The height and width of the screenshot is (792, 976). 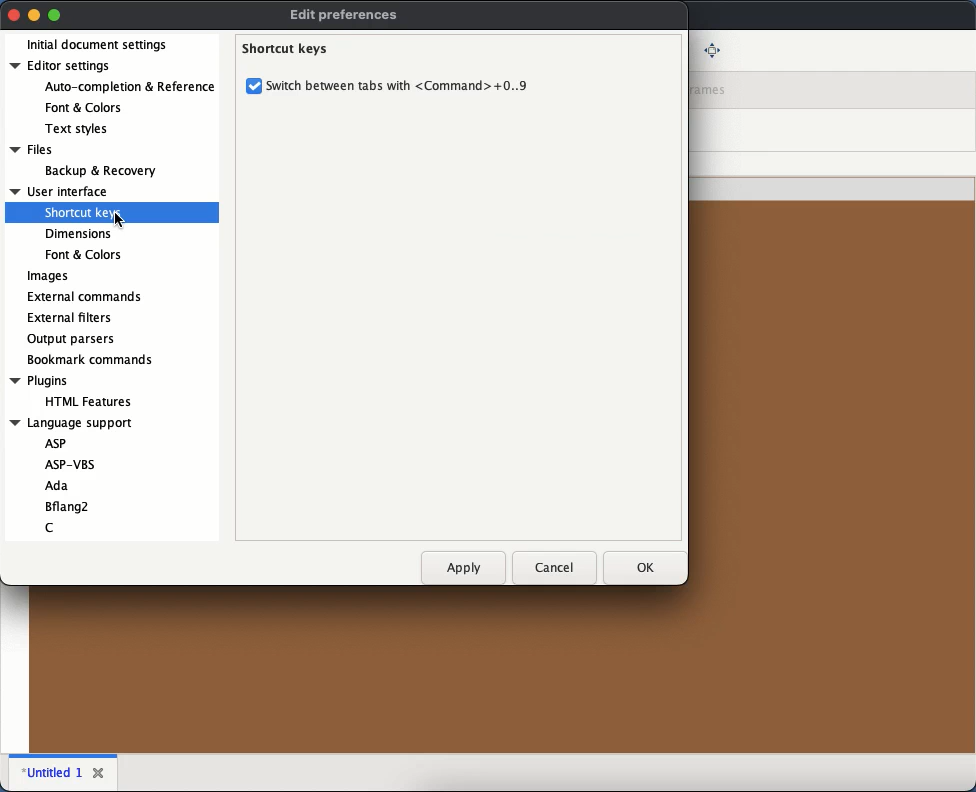 I want to click on Auto-completion & Reference, so click(x=128, y=89).